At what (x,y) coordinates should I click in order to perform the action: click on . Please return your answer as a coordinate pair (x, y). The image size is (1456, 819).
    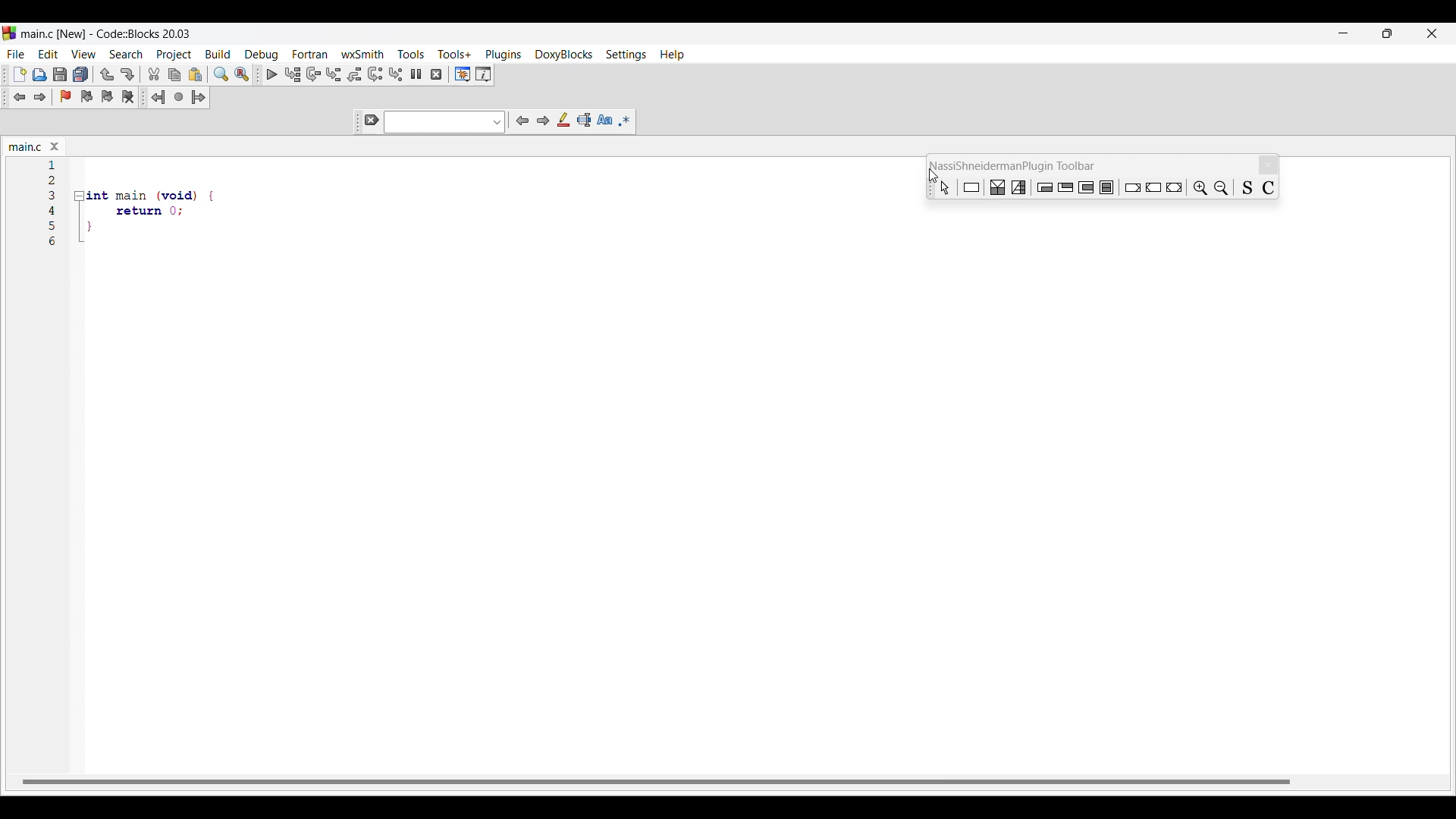
    Looking at the image, I should click on (1021, 186).